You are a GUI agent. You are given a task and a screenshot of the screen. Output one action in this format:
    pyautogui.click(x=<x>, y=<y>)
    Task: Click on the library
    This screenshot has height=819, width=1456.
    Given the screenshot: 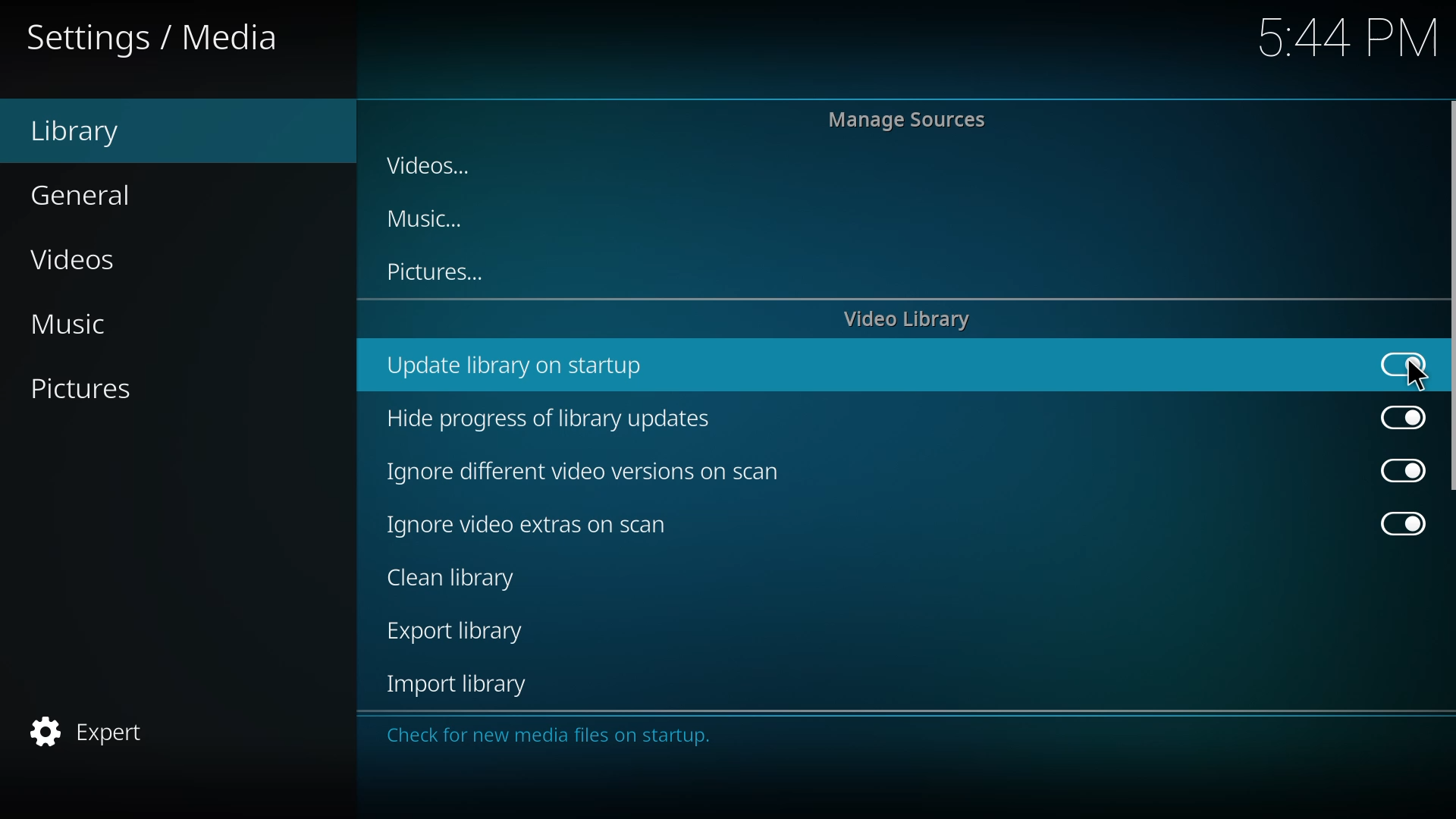 What is the action you would take?
    pyautogui.click(x=85, y=131)
    